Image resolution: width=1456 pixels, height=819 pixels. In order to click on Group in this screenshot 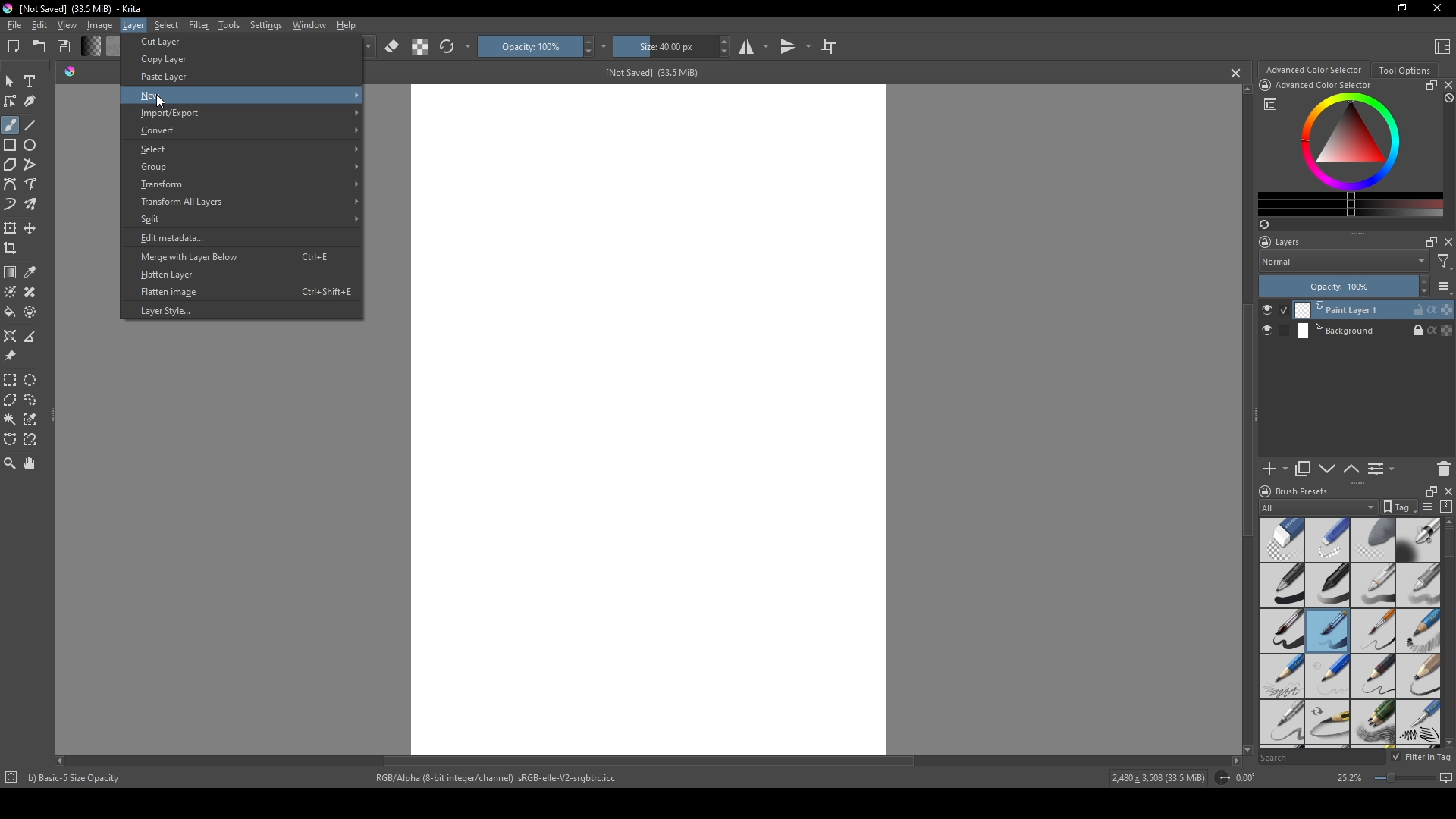, I will do `click(246, 168)`.